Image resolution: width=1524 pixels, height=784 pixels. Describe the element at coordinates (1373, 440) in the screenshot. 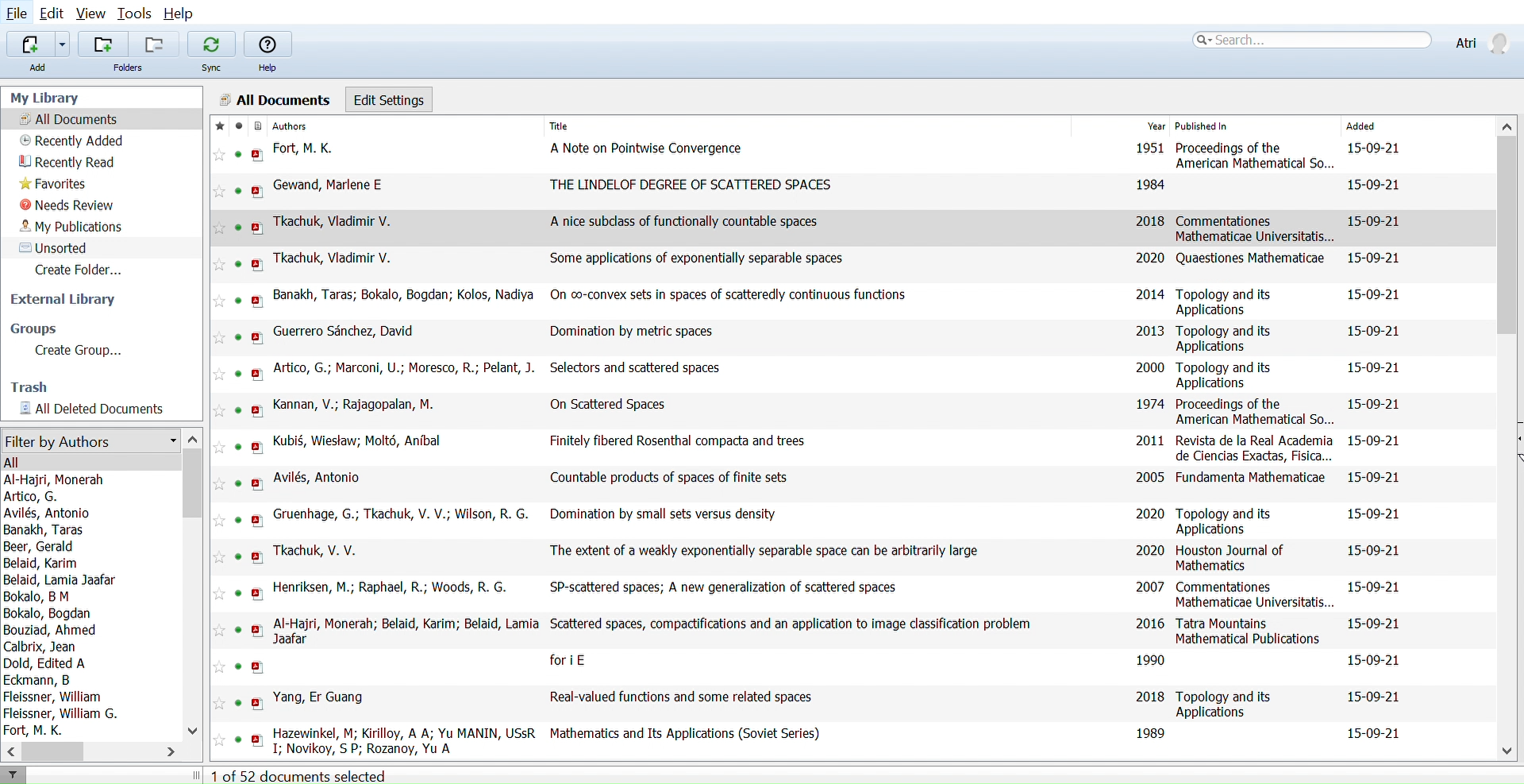

I see `15-09-21` at that location.